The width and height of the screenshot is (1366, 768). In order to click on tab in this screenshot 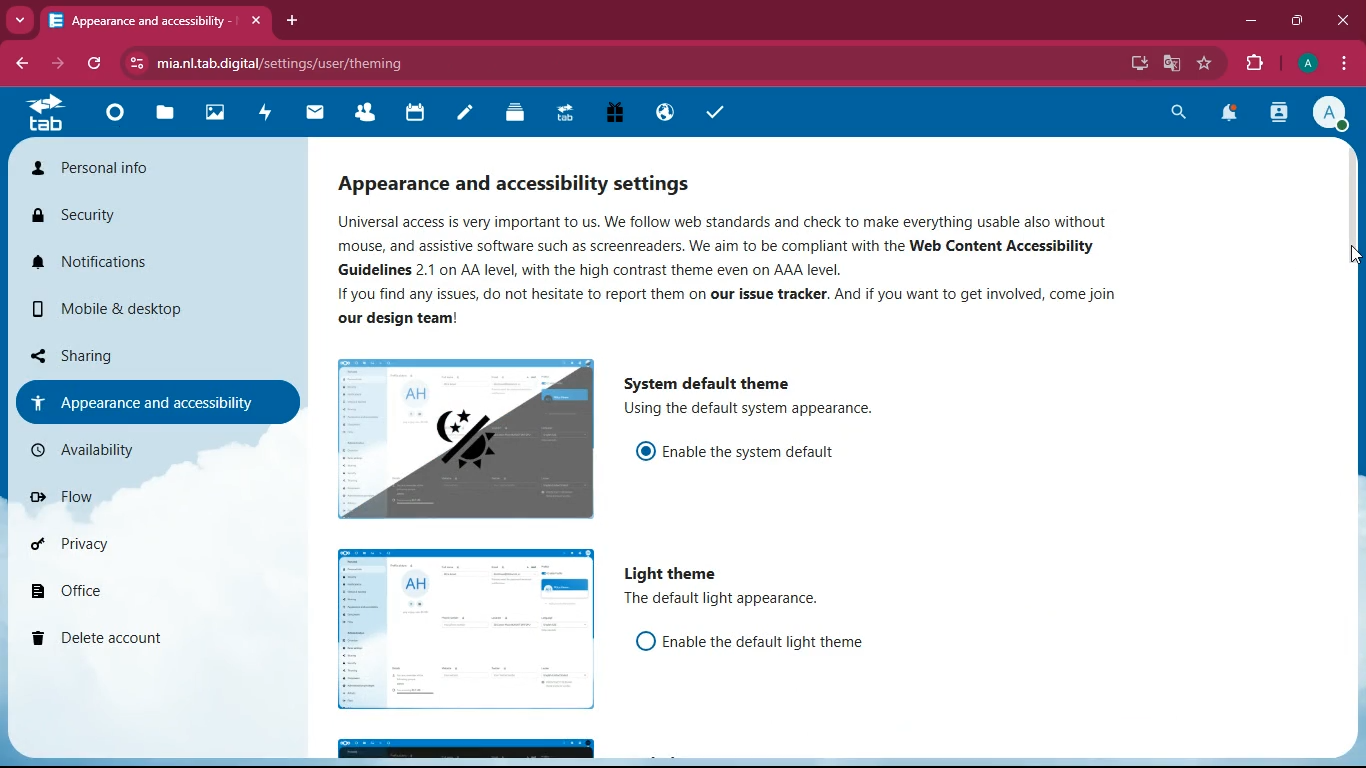, I will do `click(155, 23)`.